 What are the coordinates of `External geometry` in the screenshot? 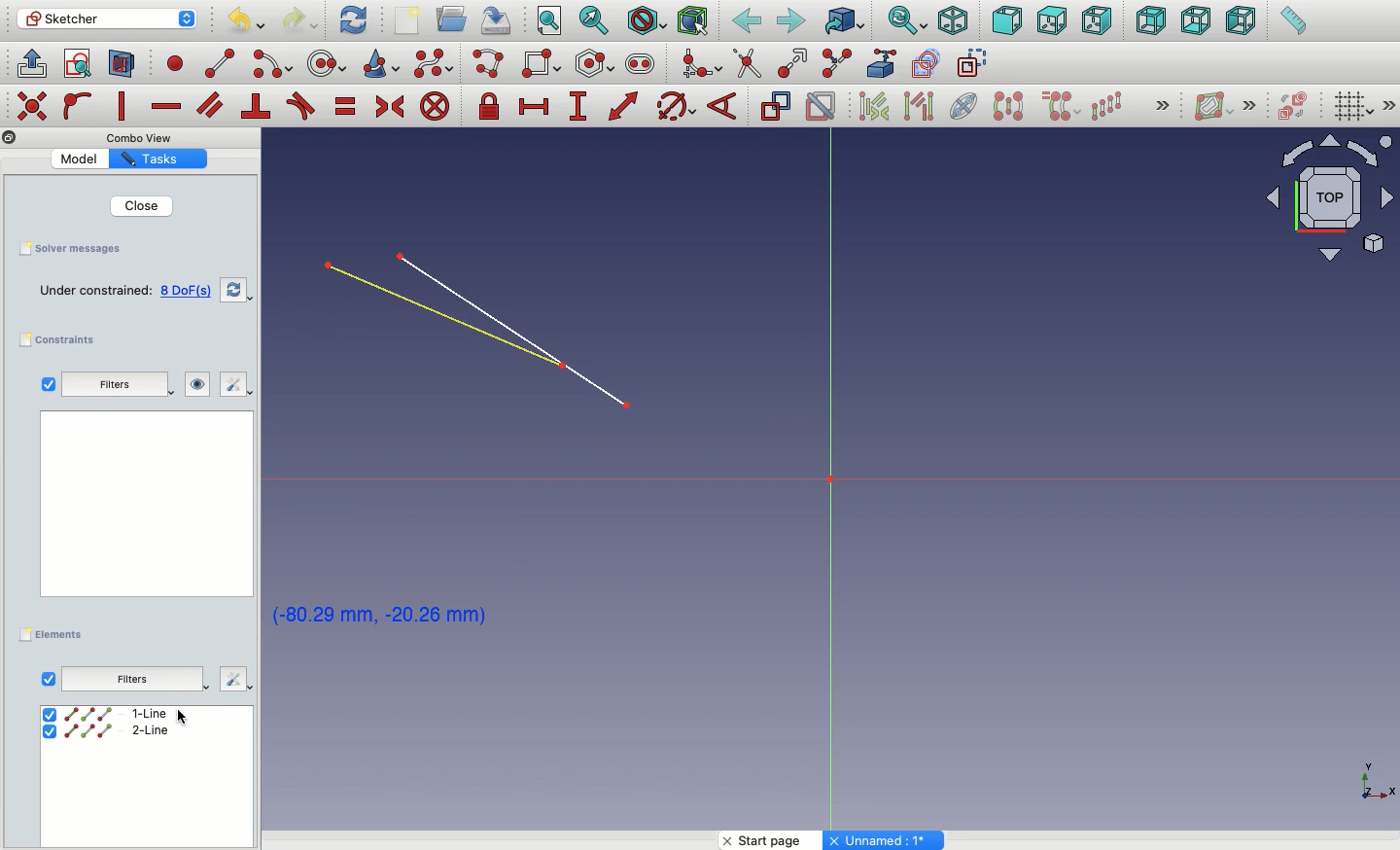 It's located at (879, 62).